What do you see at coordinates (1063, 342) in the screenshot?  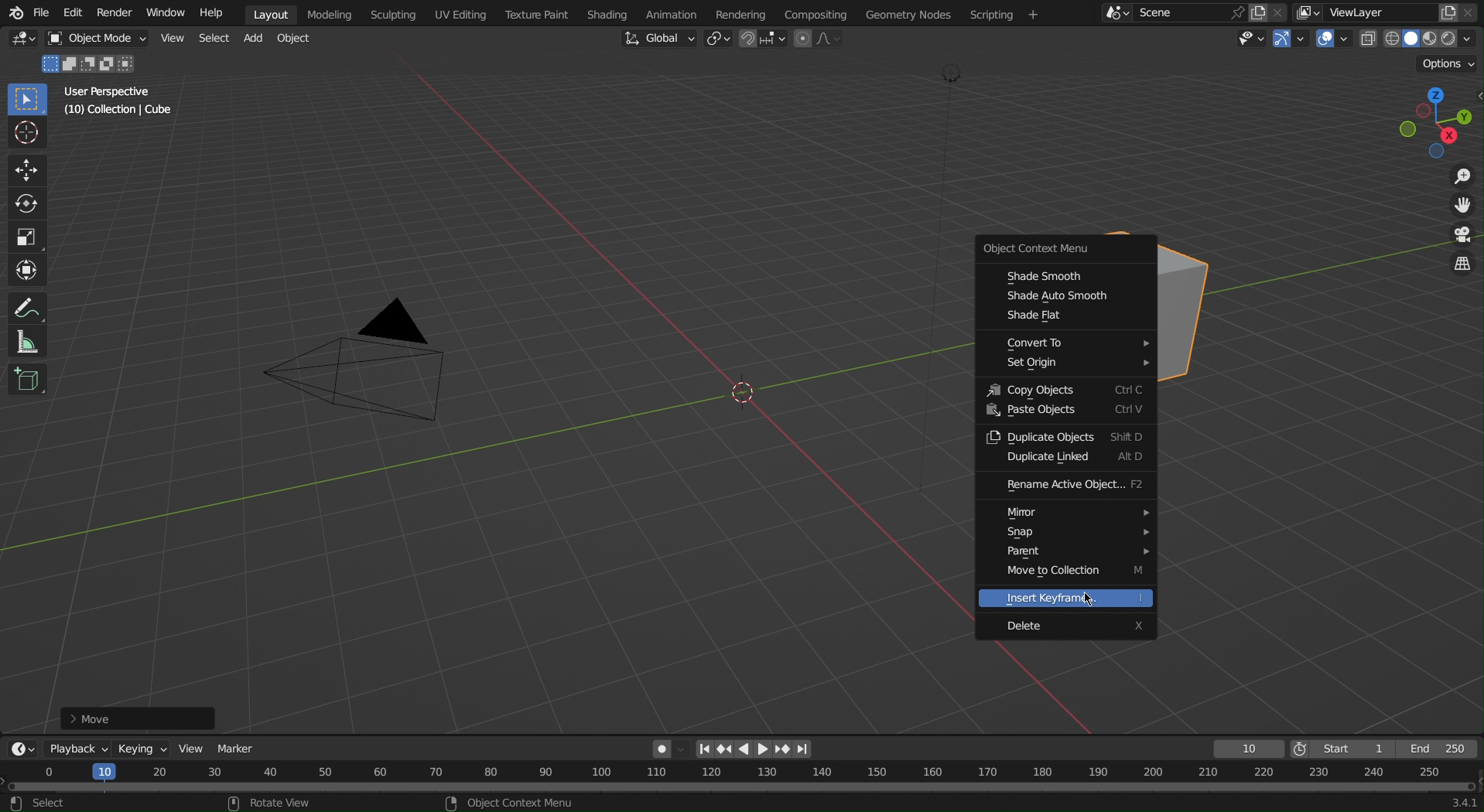 I see `Convert To` at bounding box center [1063, 342].